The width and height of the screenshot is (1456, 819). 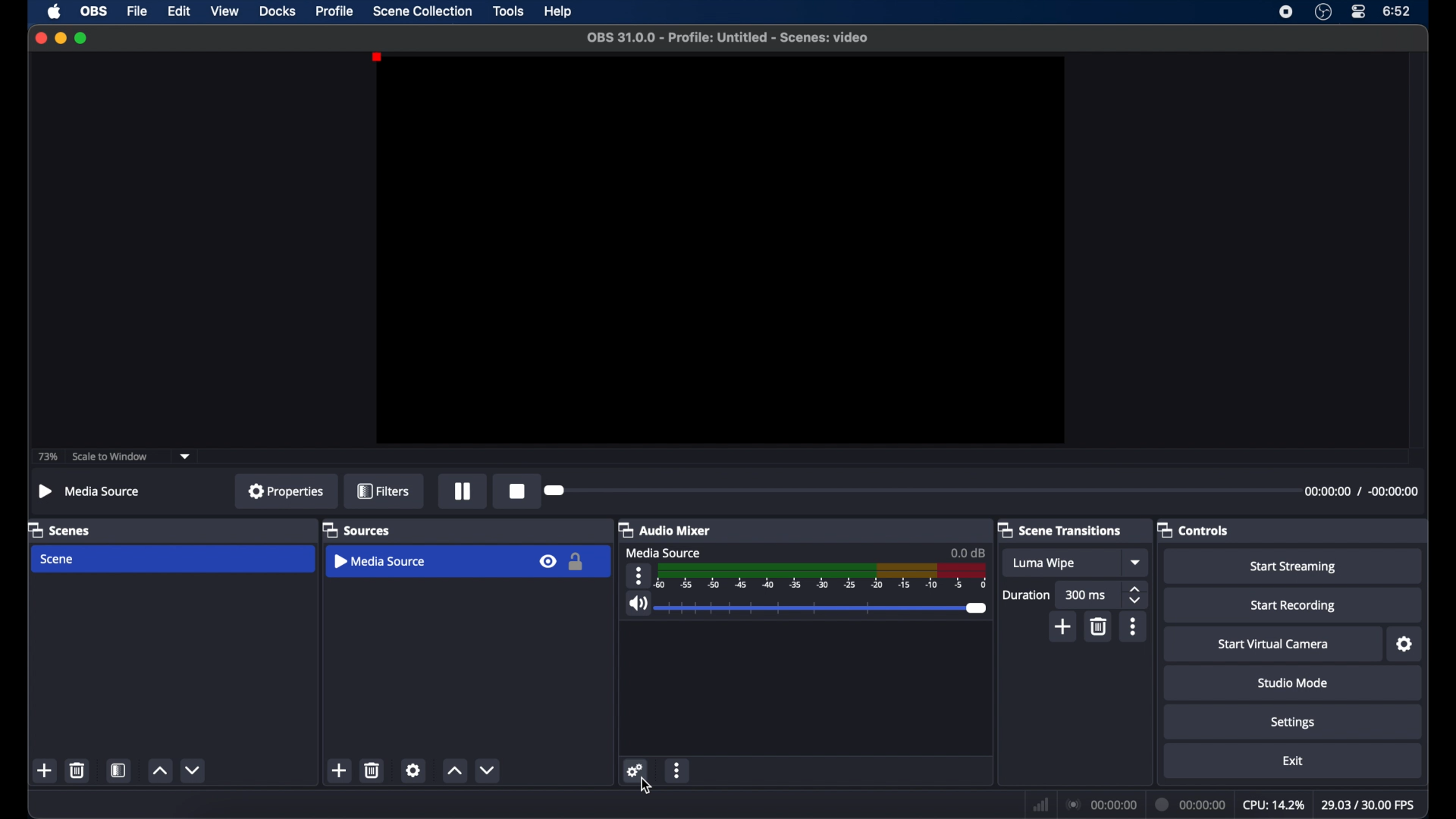 I want to click on help, so click(x=559, y=12).